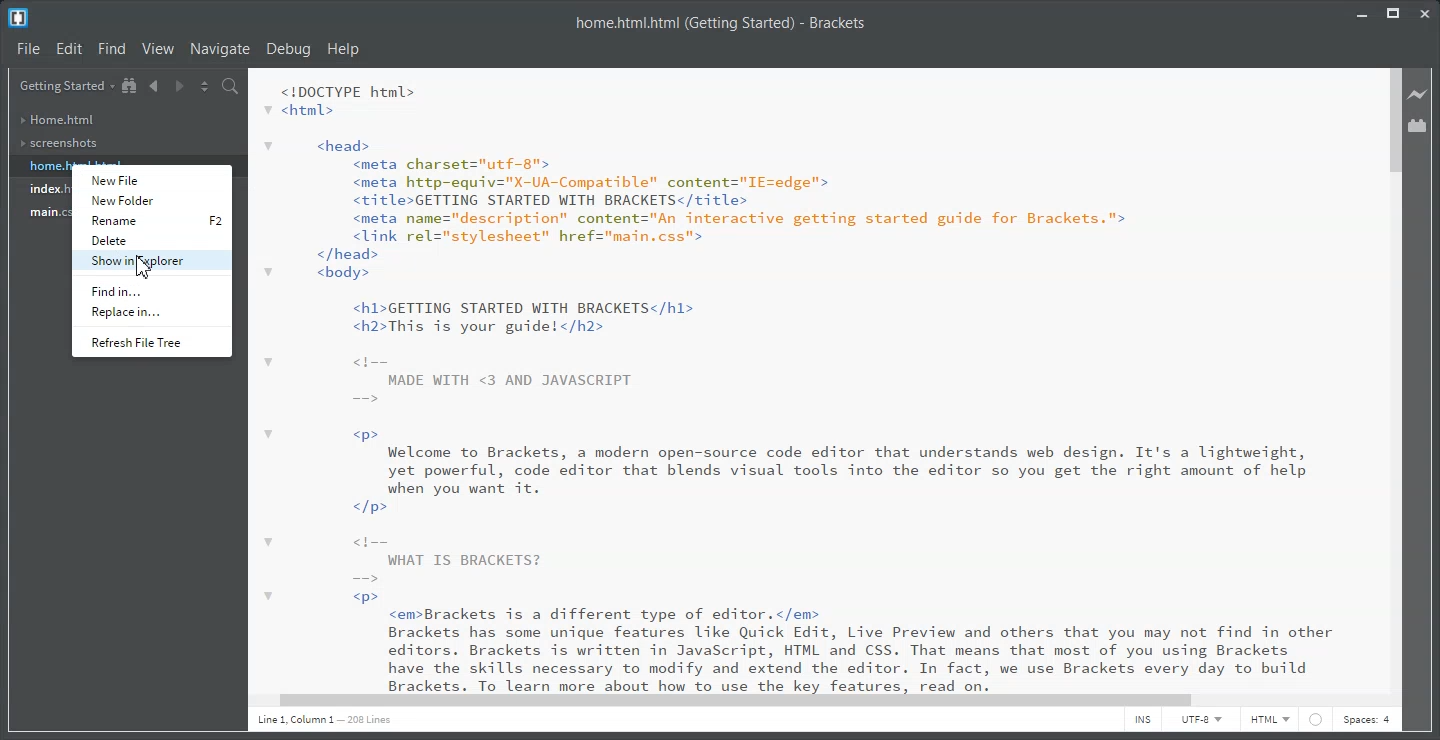  I want to click on New File, so click(151, 177).